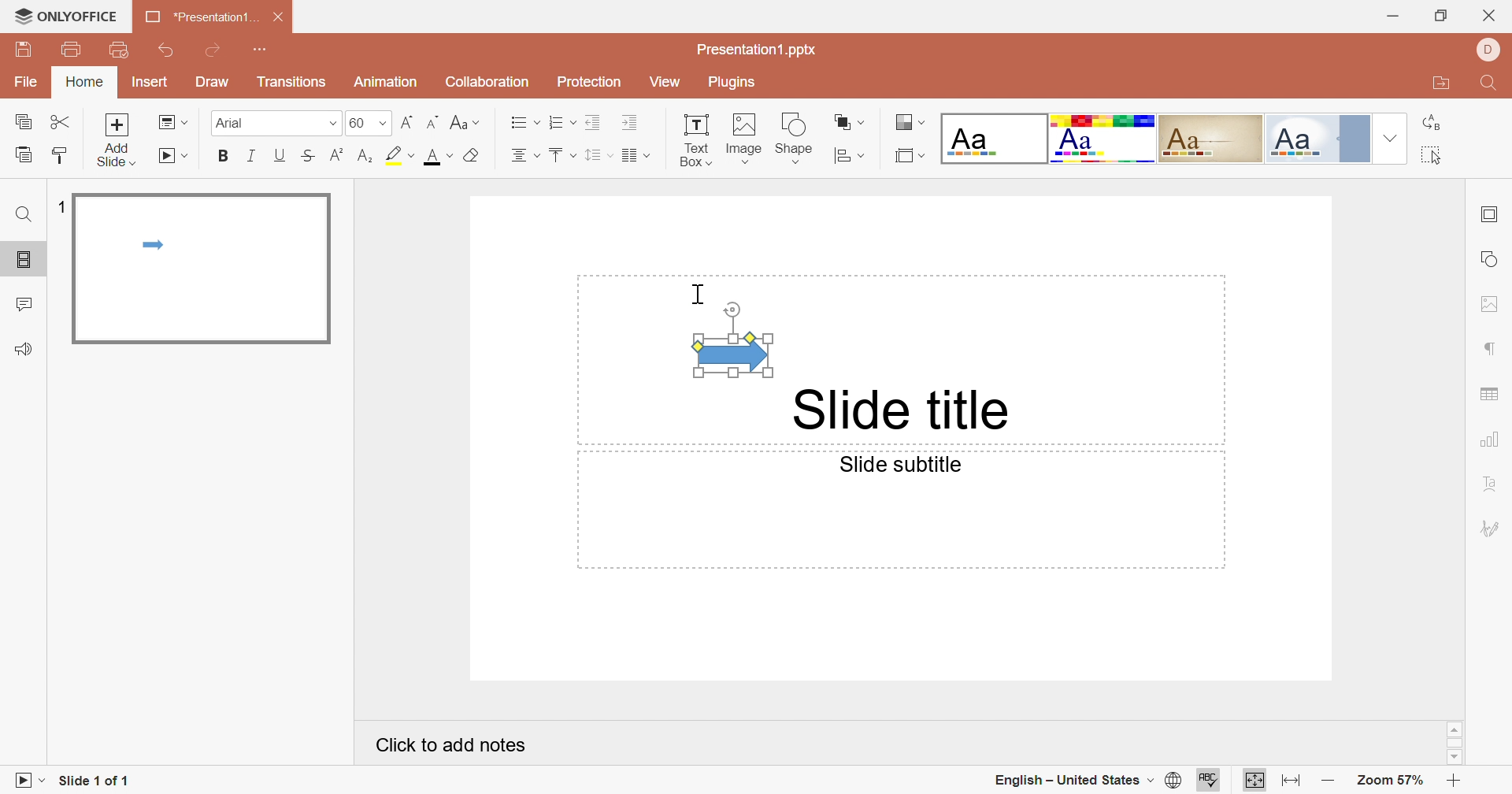 The height and width of the screenshot is (794, 1512). What do you see at coordinates (521, 121) in the screenshot?
I see `Bullets` at bounding box center [521, 121].